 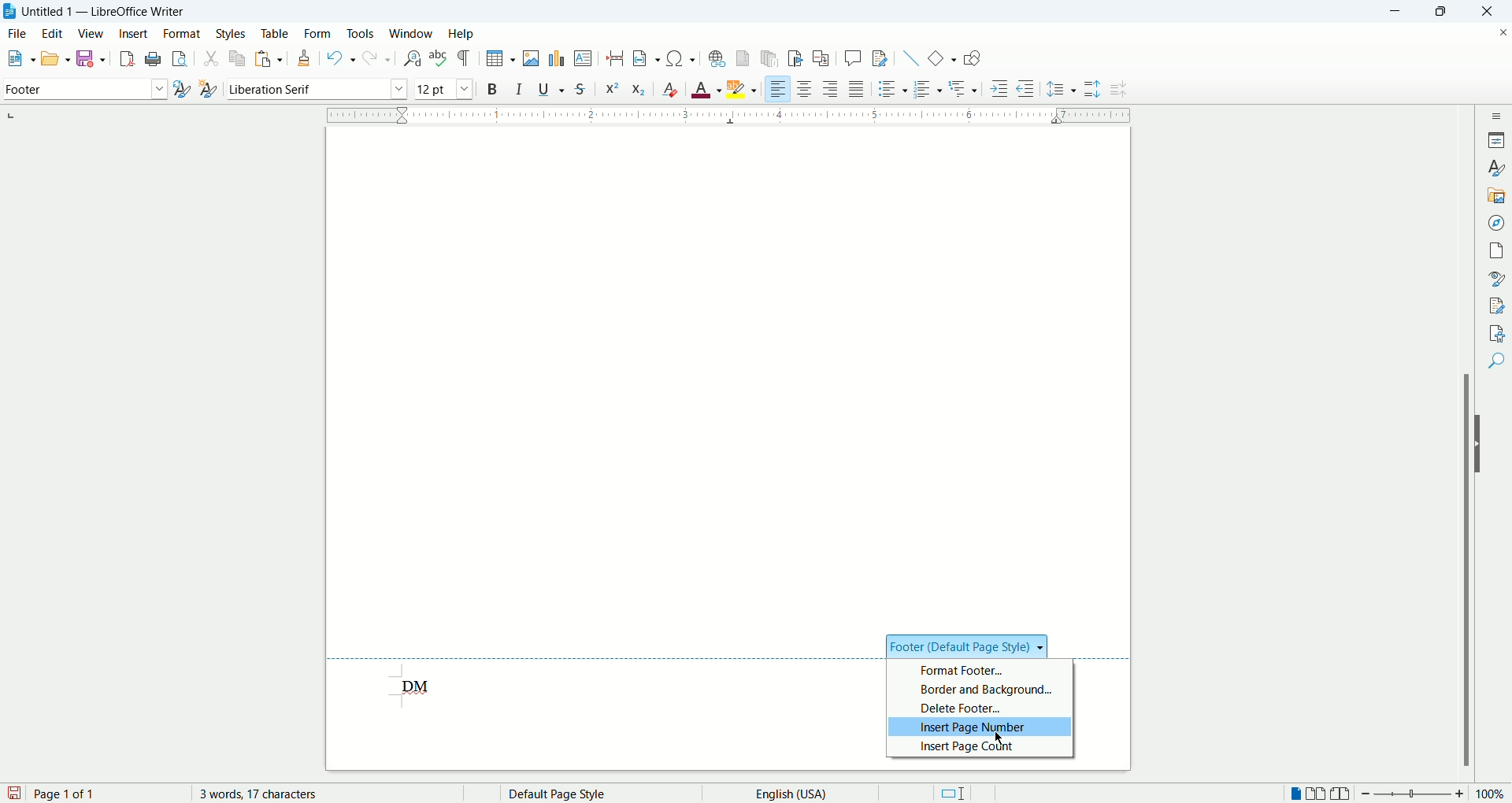 I want to click on navigator, so click(x=1499, y=221).